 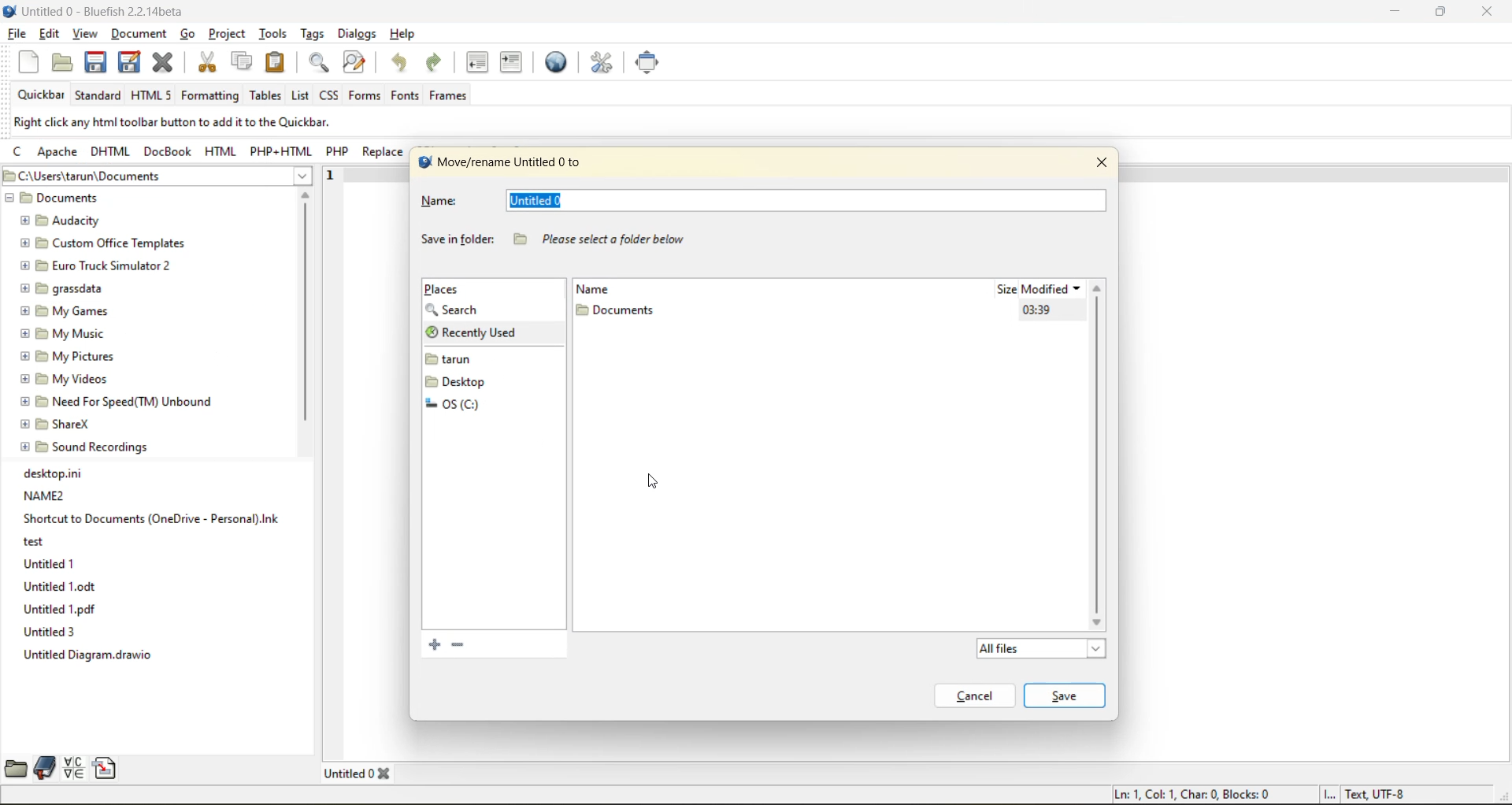 I want to click on save as, so click(x=125, y=67).